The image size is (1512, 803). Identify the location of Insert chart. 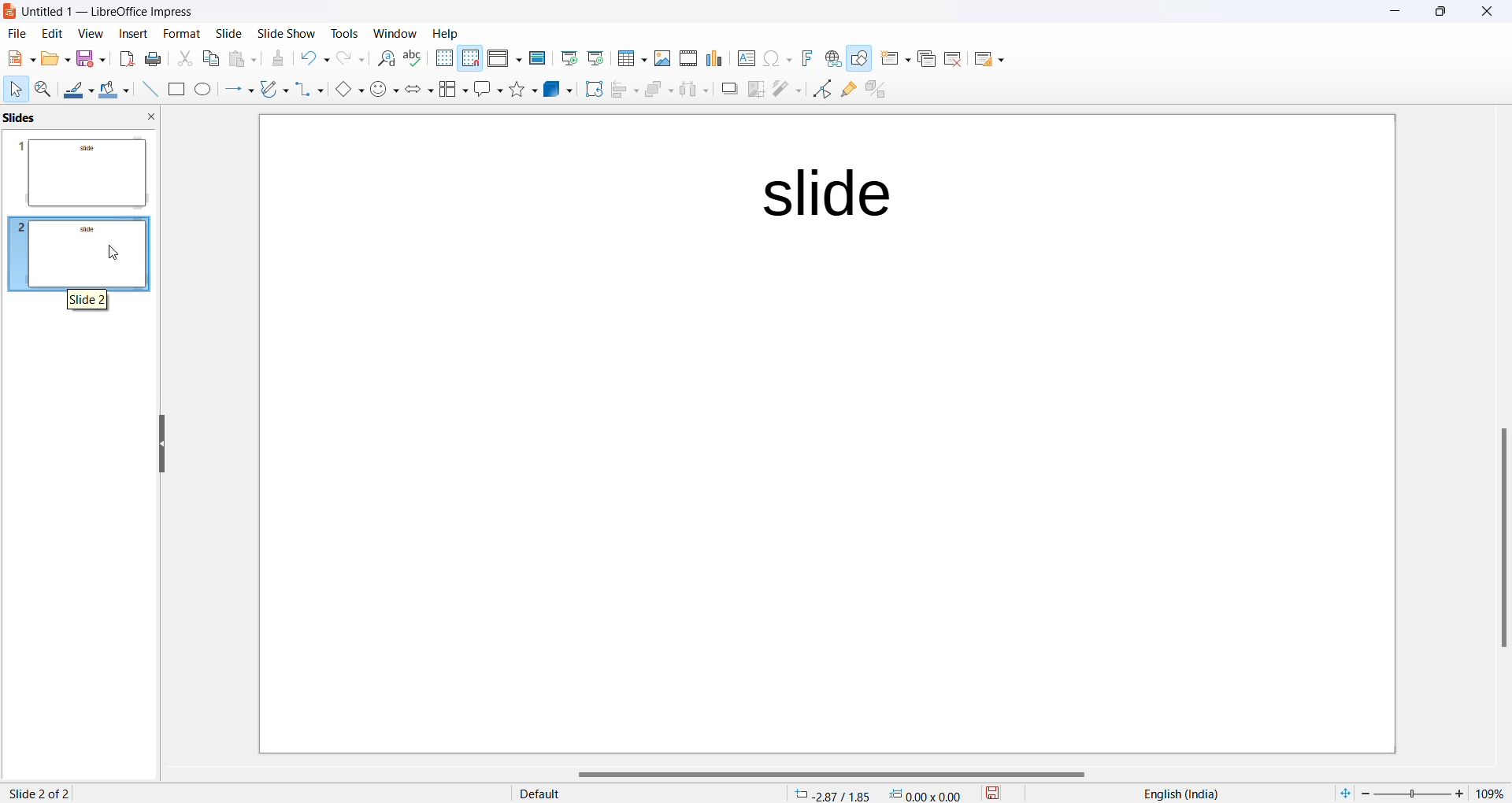
(711, 58).